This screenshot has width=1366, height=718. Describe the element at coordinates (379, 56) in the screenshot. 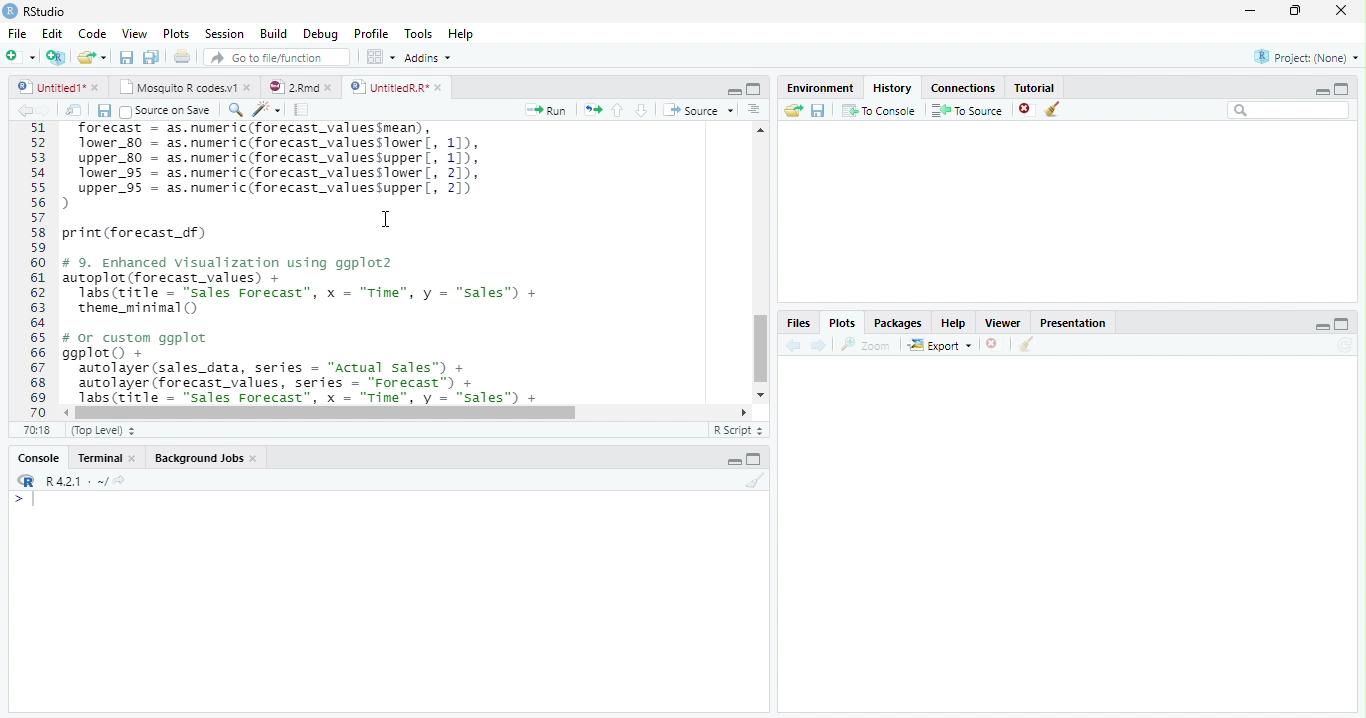

I see `Workplace panes` at that location.